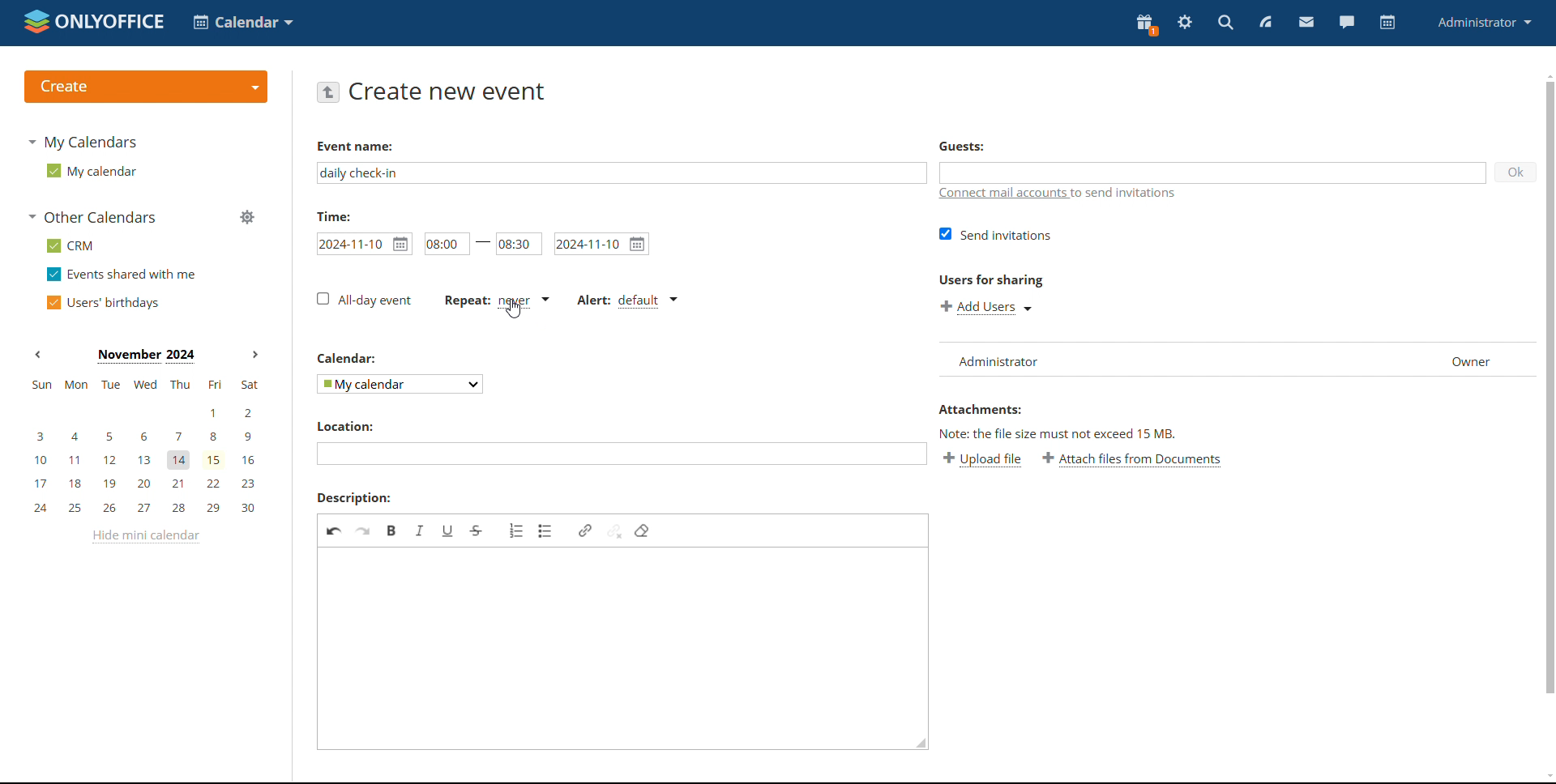 The width and height of the screenshot is (1556, 784). Describe the element at coordinates (513, 311) in the screenshot. I see `cursor` at that location.